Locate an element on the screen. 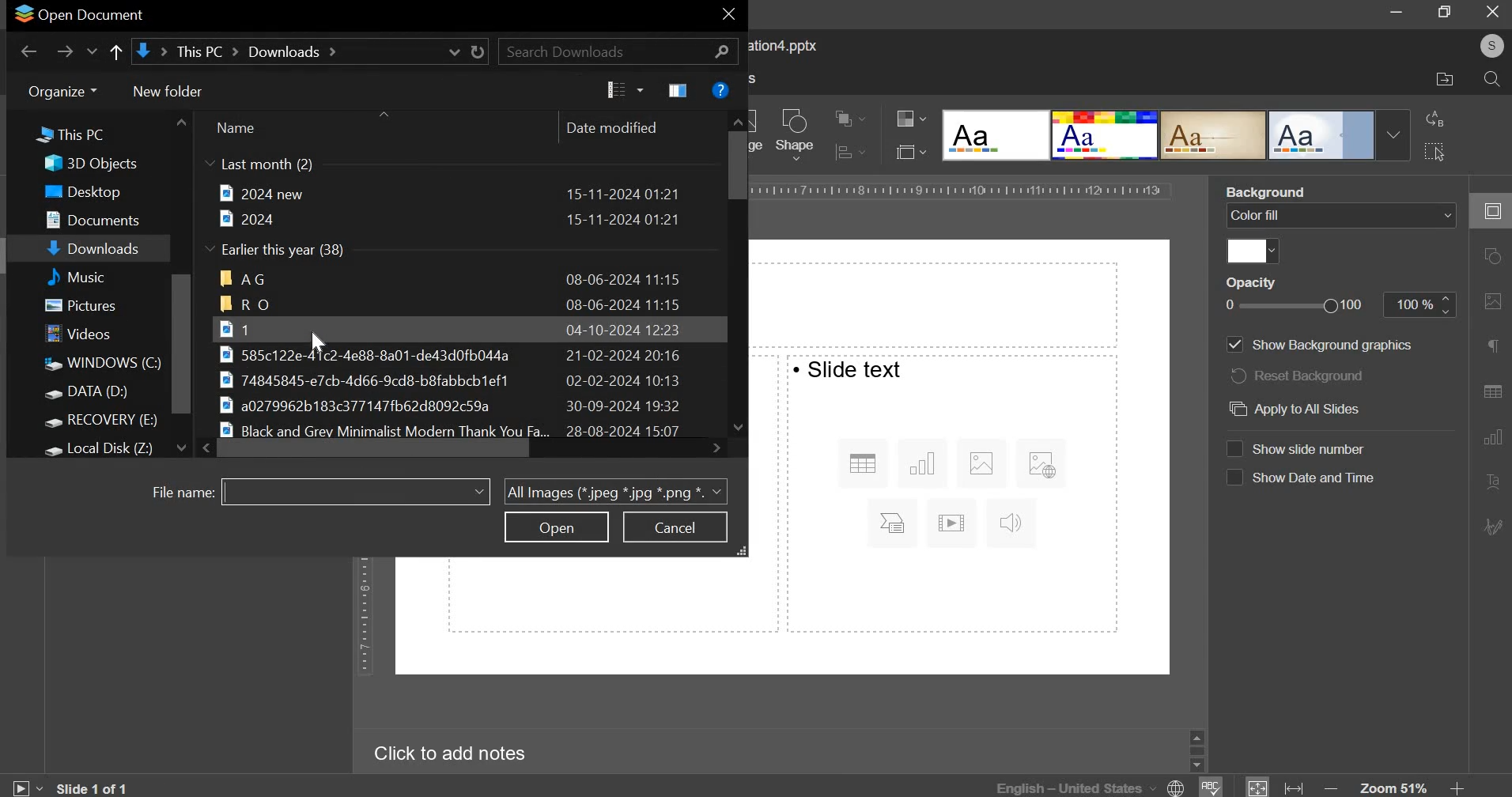 The width and height of the screenshot is (1512, 797). Name is located at coordinates (235, 128).